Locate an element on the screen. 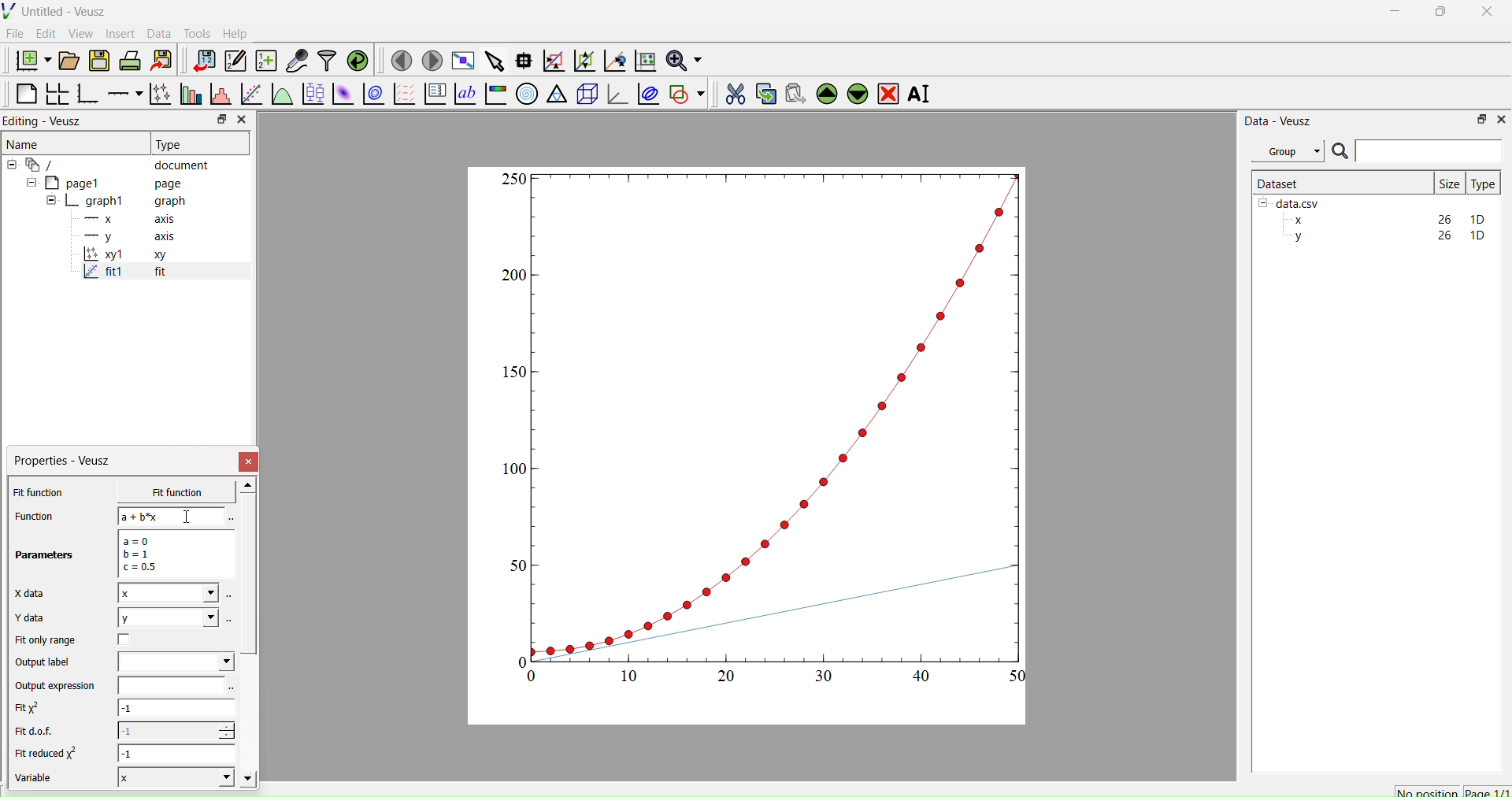 The height and width of the screenshot is (797, 1512). Checkbox is located at coordinates (128, 639).